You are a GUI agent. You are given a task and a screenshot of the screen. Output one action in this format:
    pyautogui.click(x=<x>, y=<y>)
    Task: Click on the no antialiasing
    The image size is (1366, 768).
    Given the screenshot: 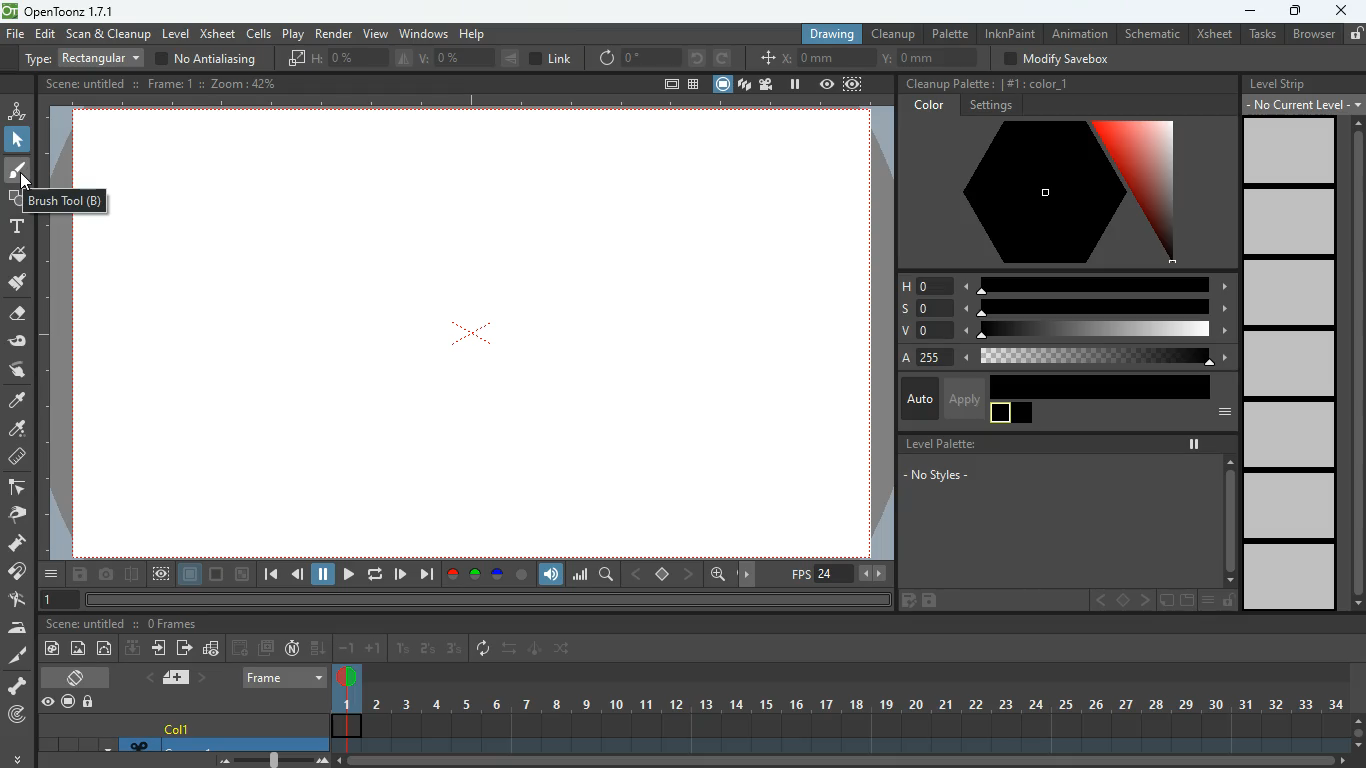 What is the action you would take?
    pyautogui.click(x=207, y=57)
    